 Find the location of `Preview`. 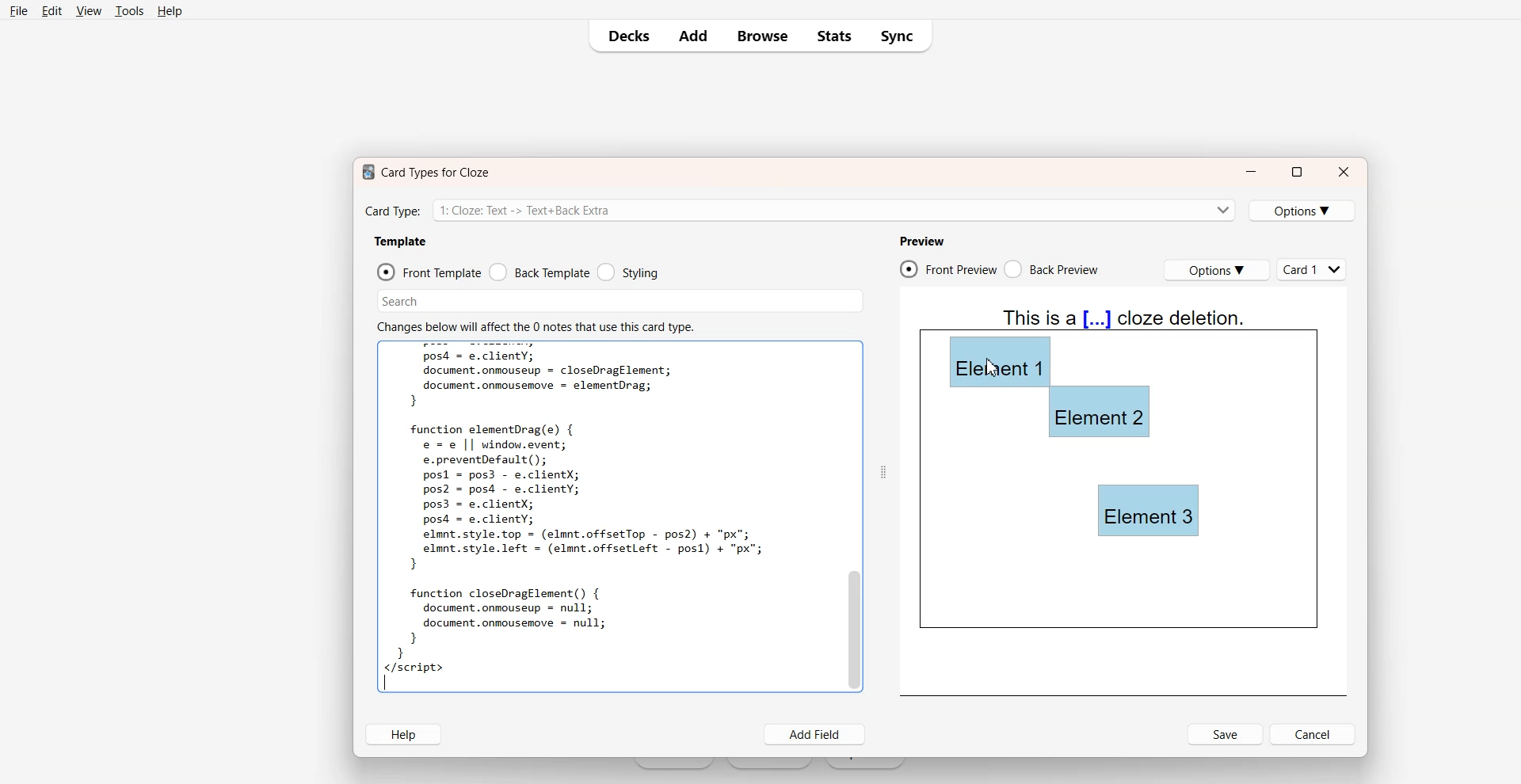

Preview is located at coordinates (921, 241).